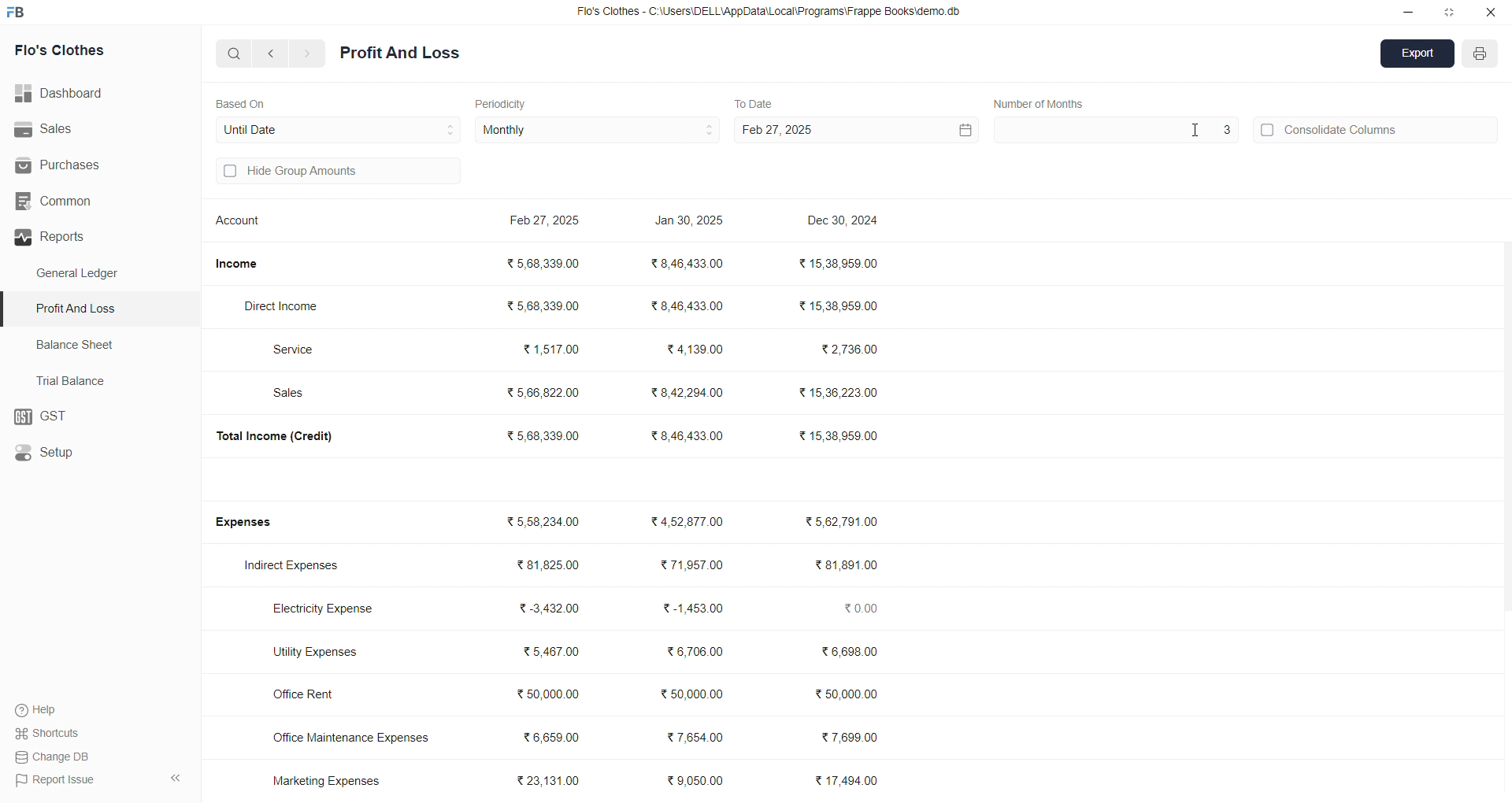 This screenshot has height=803, width=1512. Describe the element at coordinates (94, 237) in the screenshot. I see `Reports` at that location.